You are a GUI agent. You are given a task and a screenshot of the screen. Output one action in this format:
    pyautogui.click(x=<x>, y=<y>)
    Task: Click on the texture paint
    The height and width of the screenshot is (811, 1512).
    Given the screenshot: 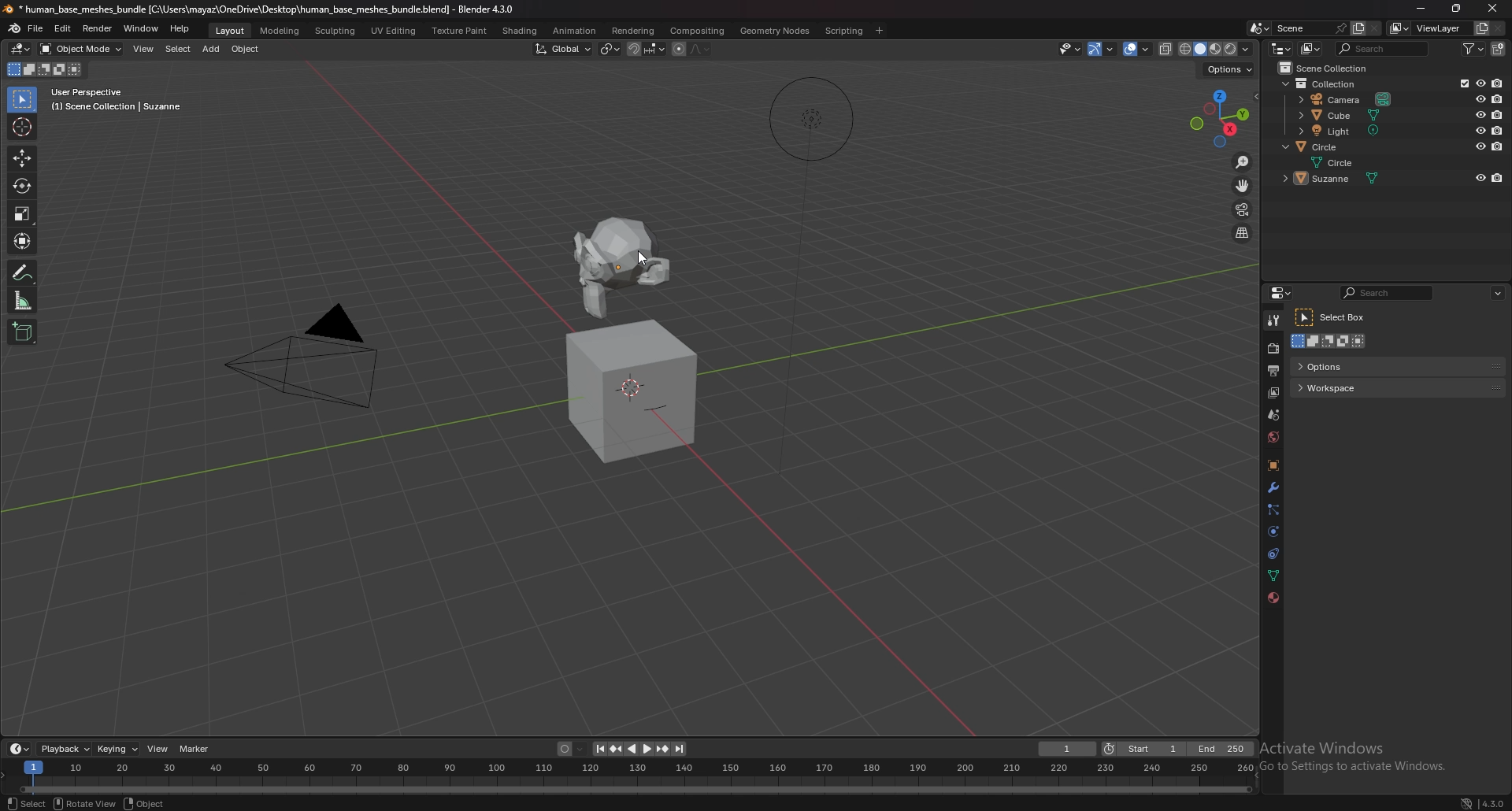 What is the action you would take?
    pyautogui.click(x=460, y=30)
    